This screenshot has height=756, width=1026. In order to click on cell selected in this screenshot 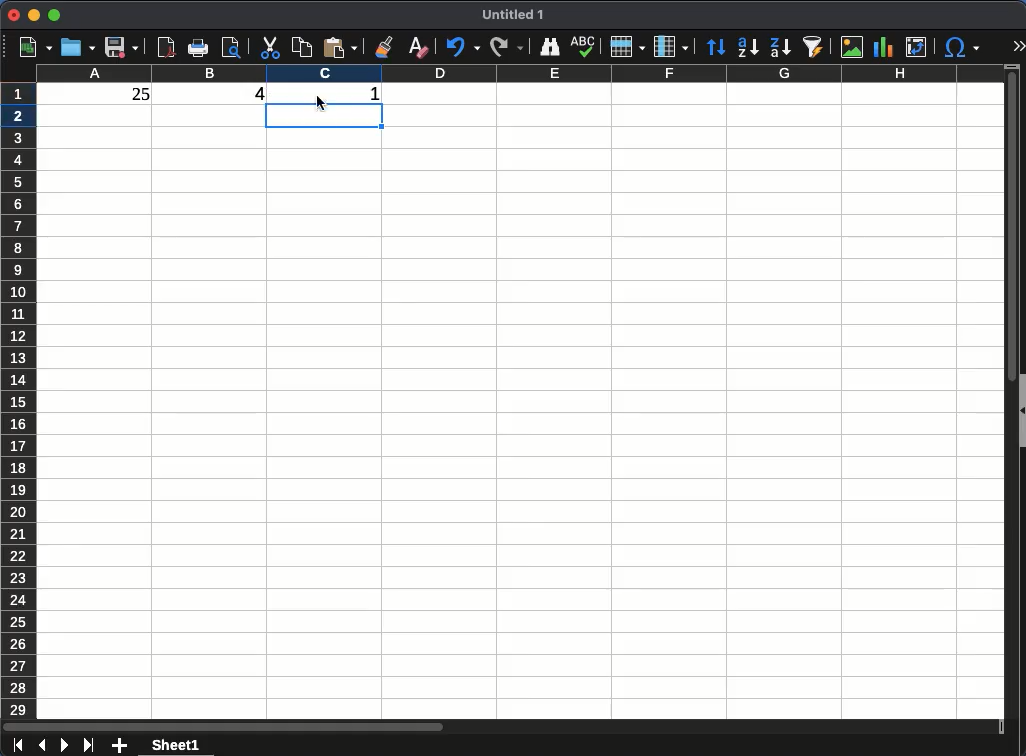, I will do `click(326, 124)`.